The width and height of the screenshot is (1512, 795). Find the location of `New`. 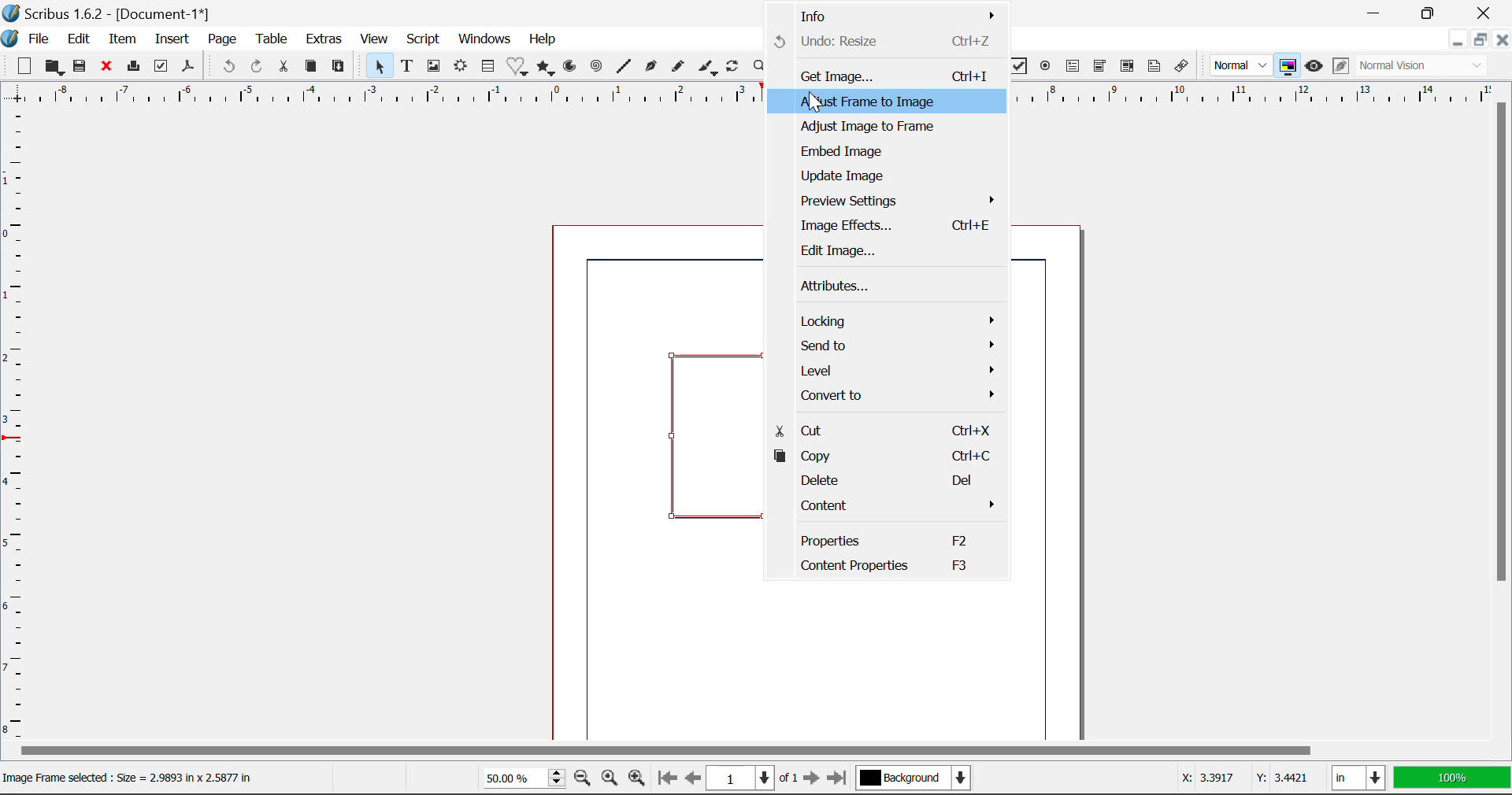

New is located at coordinates (24, 65).